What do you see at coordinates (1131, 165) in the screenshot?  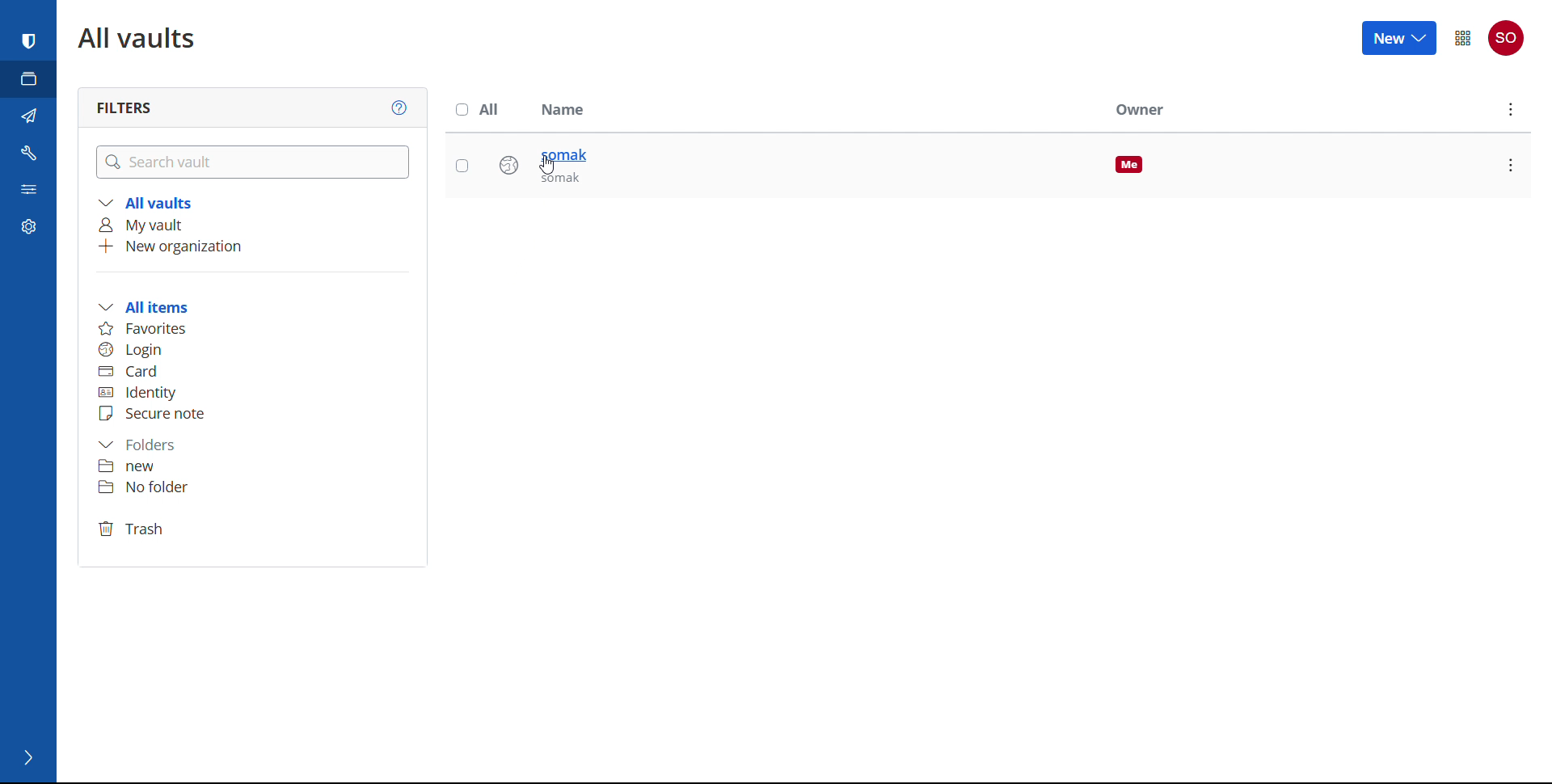 I see `me` at bounding box center [1131, 165].